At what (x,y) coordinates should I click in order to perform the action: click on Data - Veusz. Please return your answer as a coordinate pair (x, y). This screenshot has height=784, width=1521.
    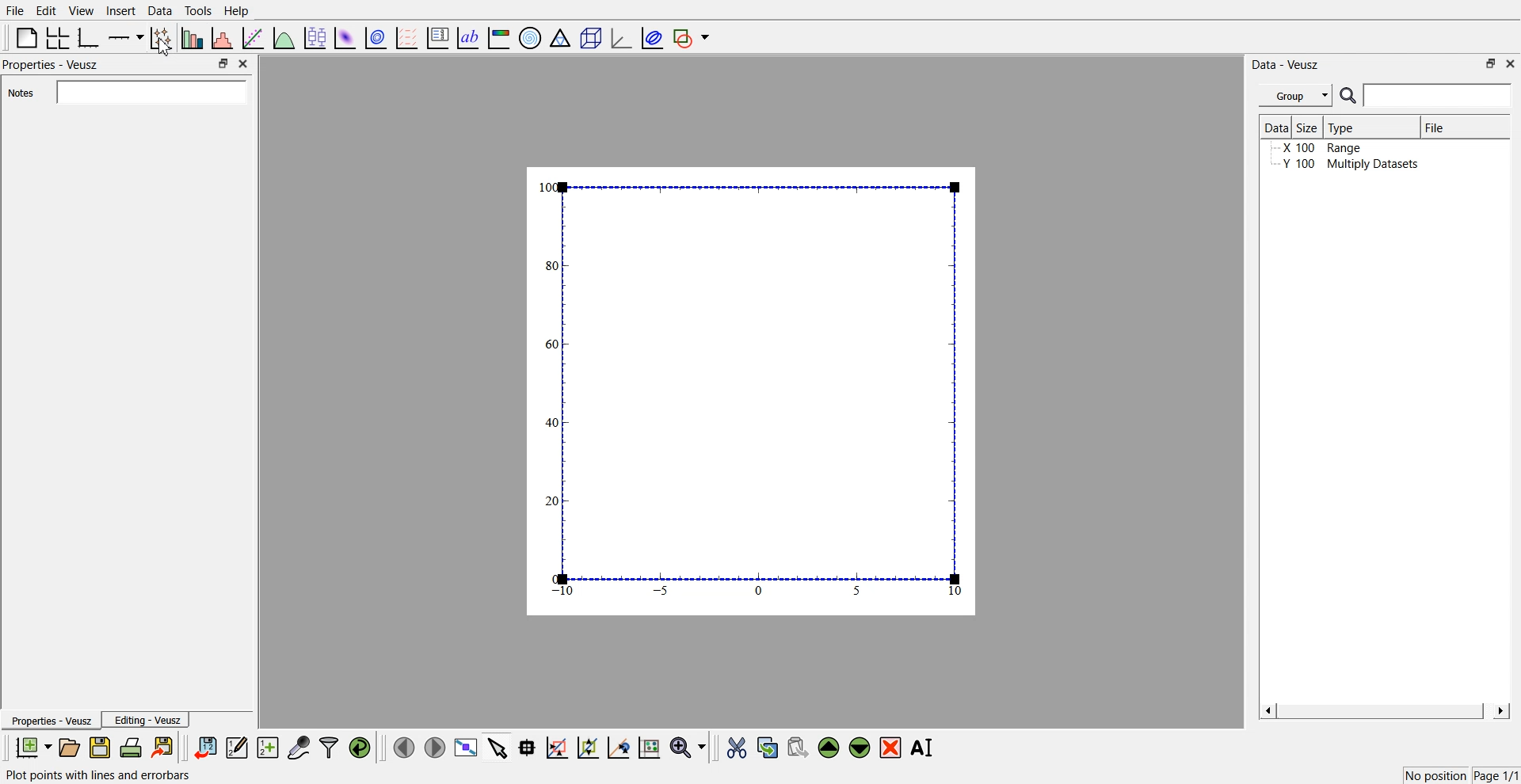
    Looking at the image, I should click on (1287, 65).